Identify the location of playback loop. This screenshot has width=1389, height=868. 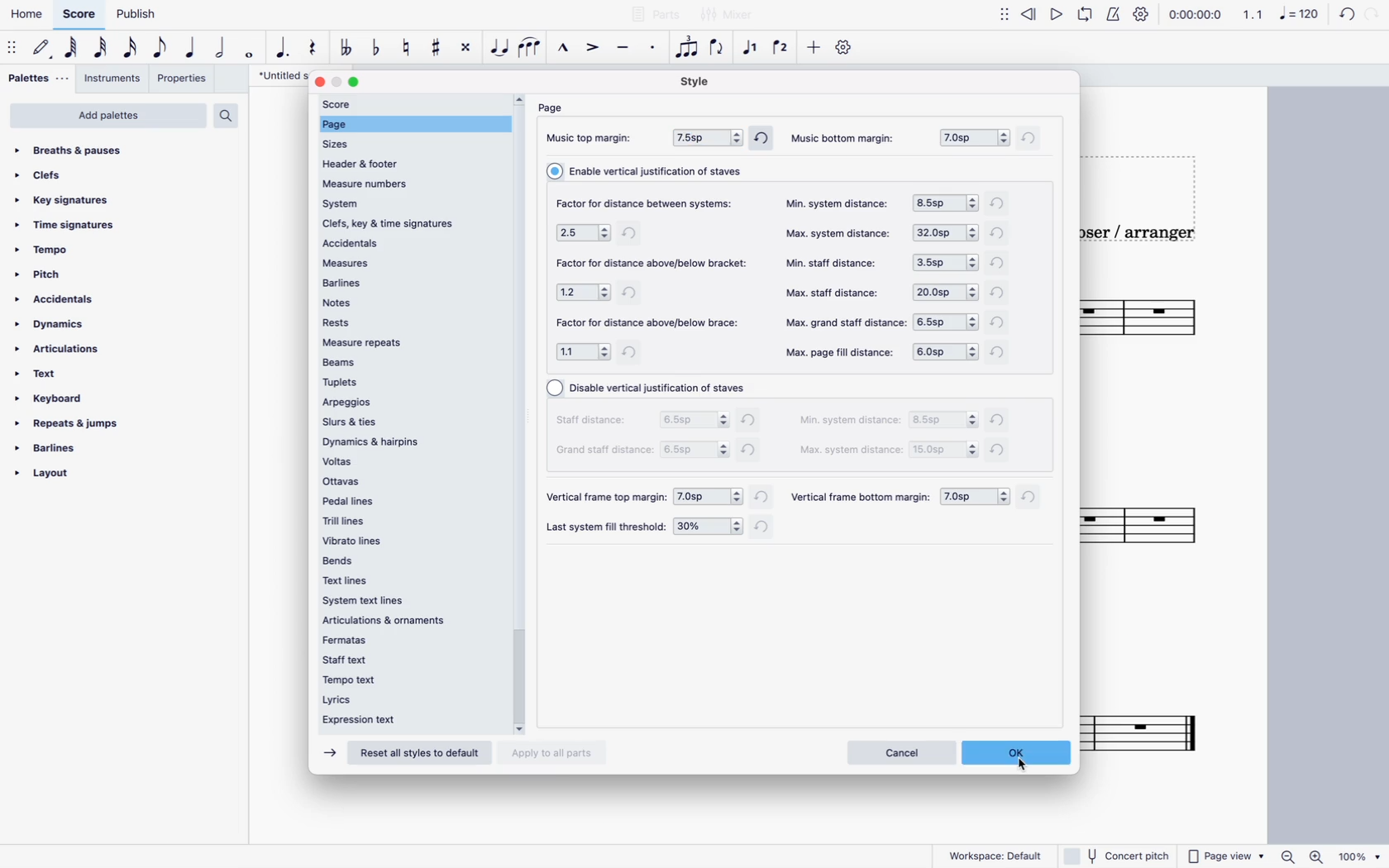
(1088, 17).